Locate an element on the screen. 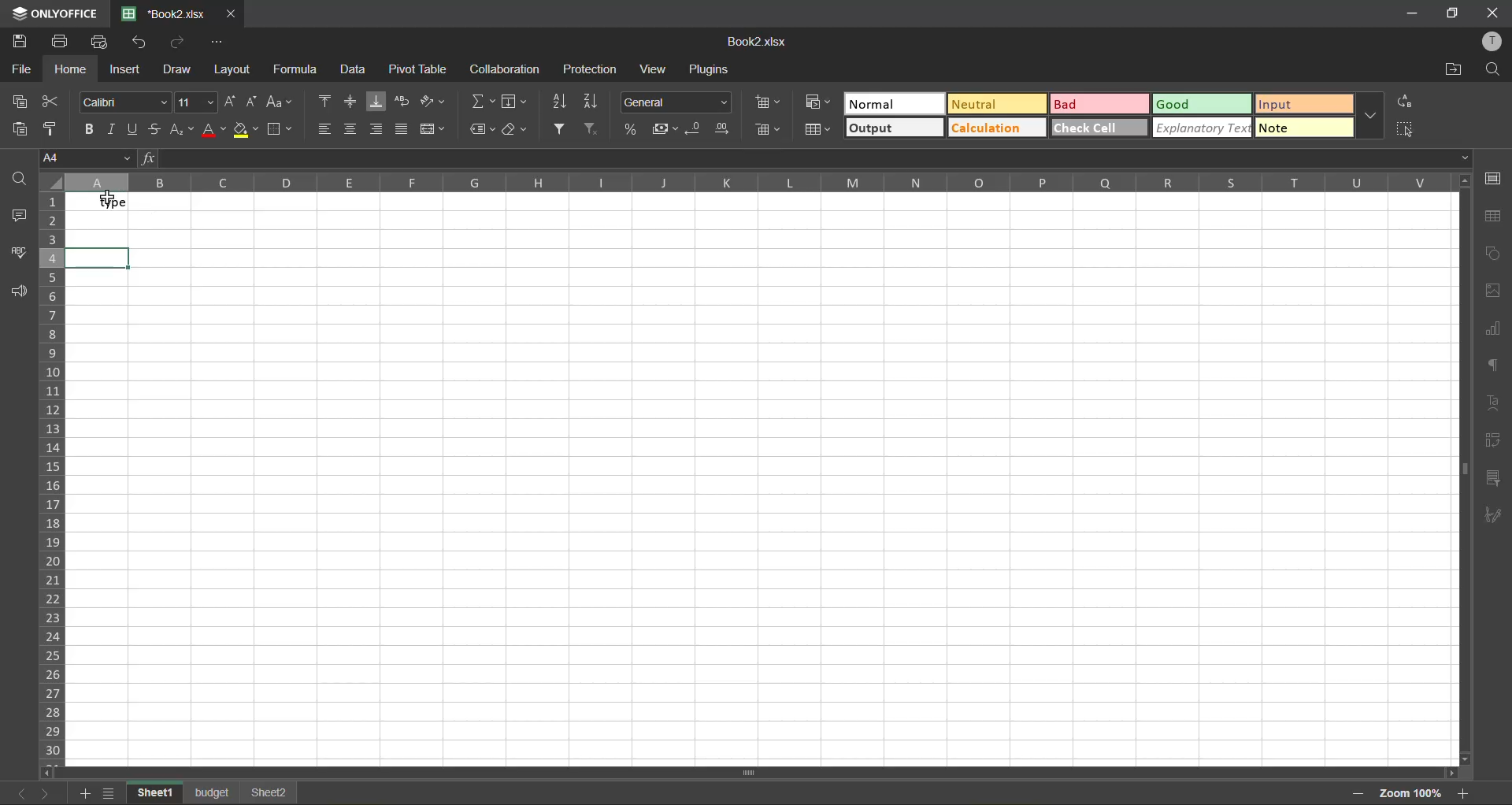  charts is located at coordinates (1495, 328).